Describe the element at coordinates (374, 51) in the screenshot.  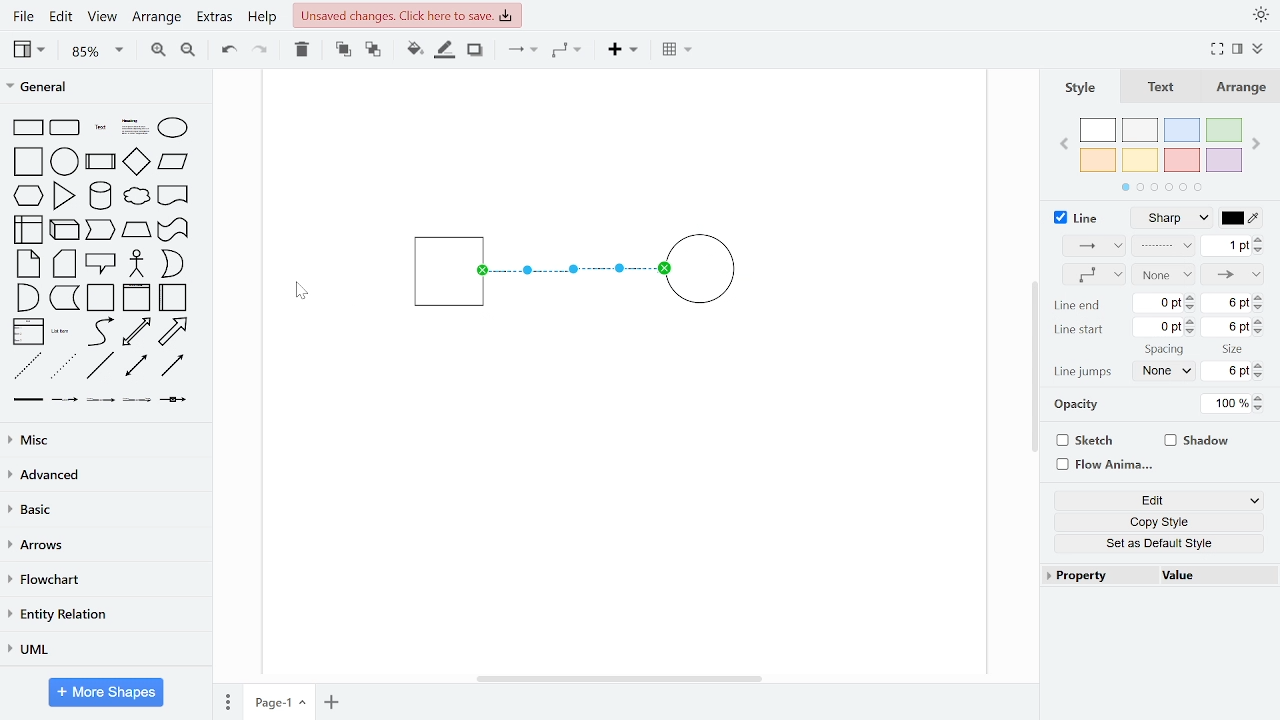
I see `to back` at that location.